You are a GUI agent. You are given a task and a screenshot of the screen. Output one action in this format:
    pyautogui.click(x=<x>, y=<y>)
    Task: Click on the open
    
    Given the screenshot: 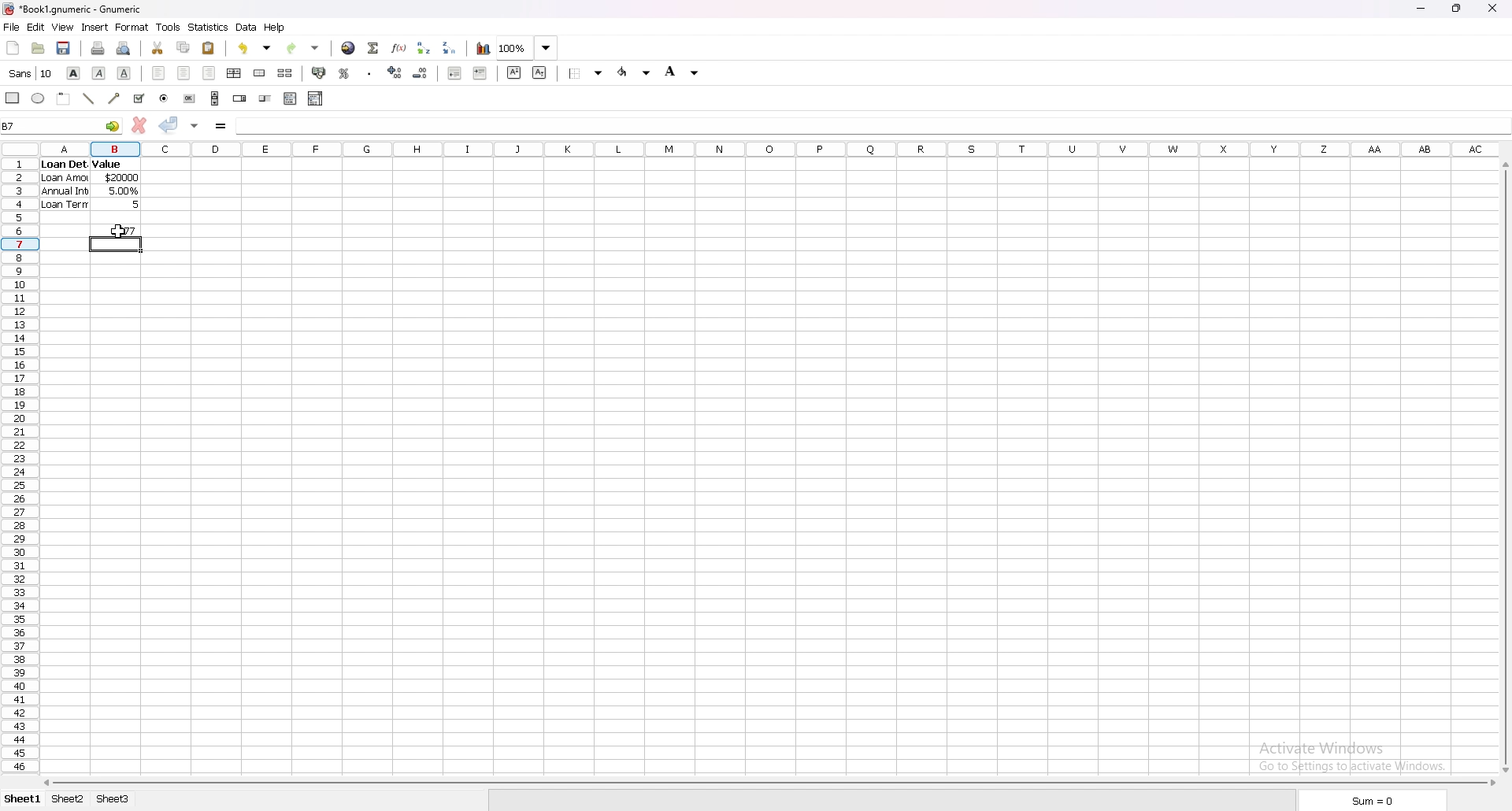 What is the action you would take?
    pyautogui.click(x=38, y=47)
    